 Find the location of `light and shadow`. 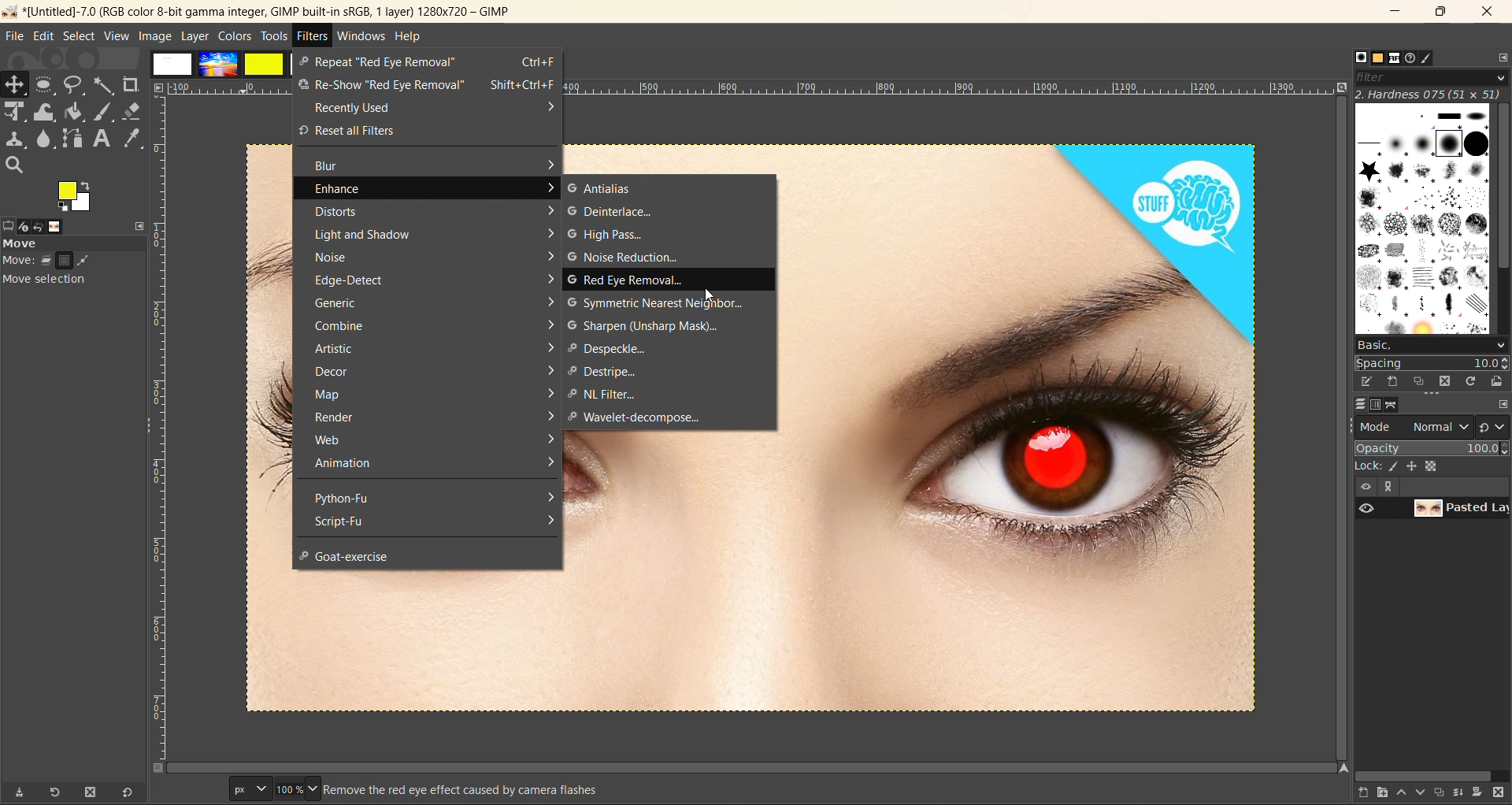

light and shadow is located at coordinates (433, 235).